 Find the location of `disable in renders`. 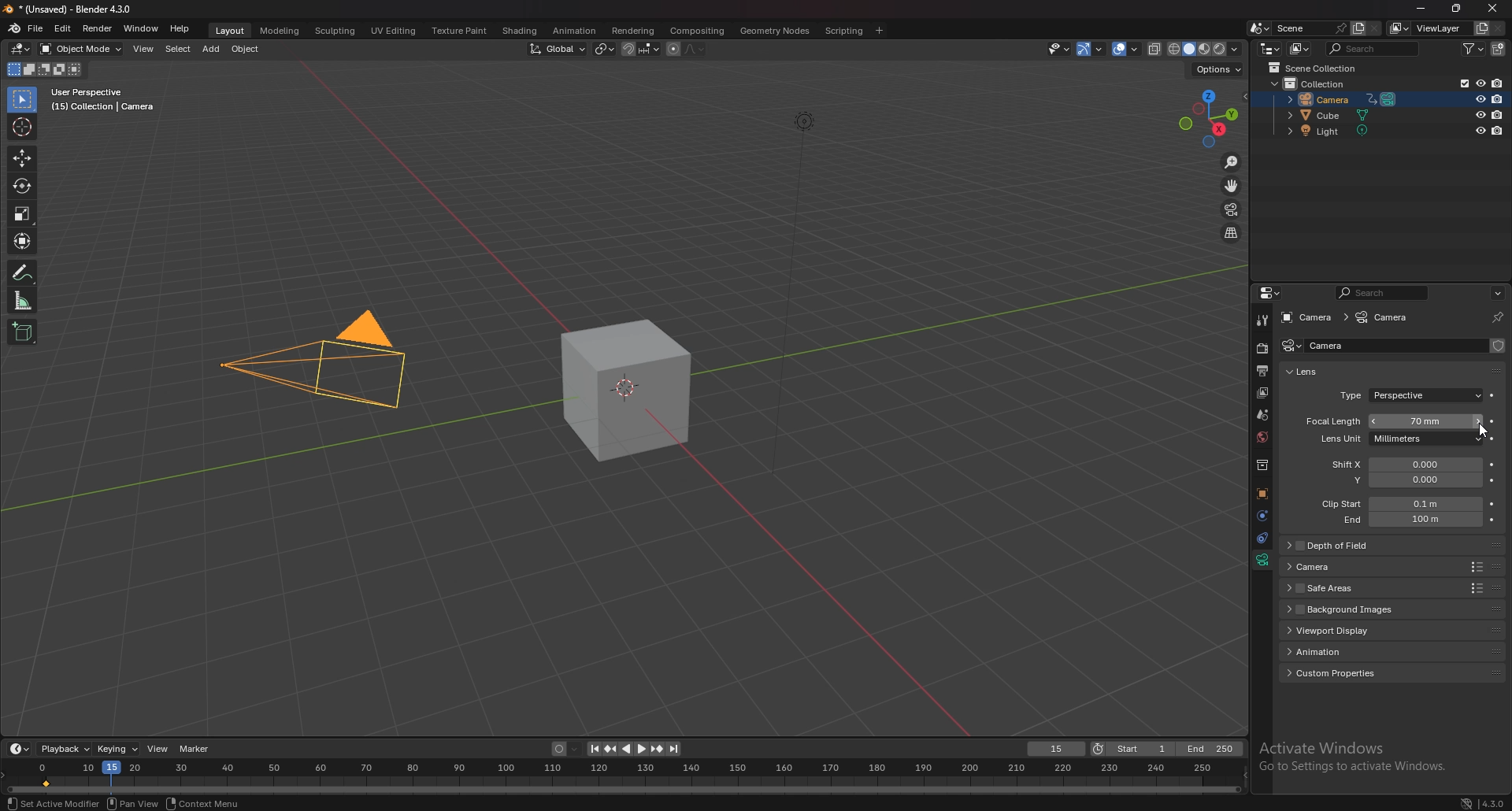

disable in renders is located at coordinates (1496, 132).